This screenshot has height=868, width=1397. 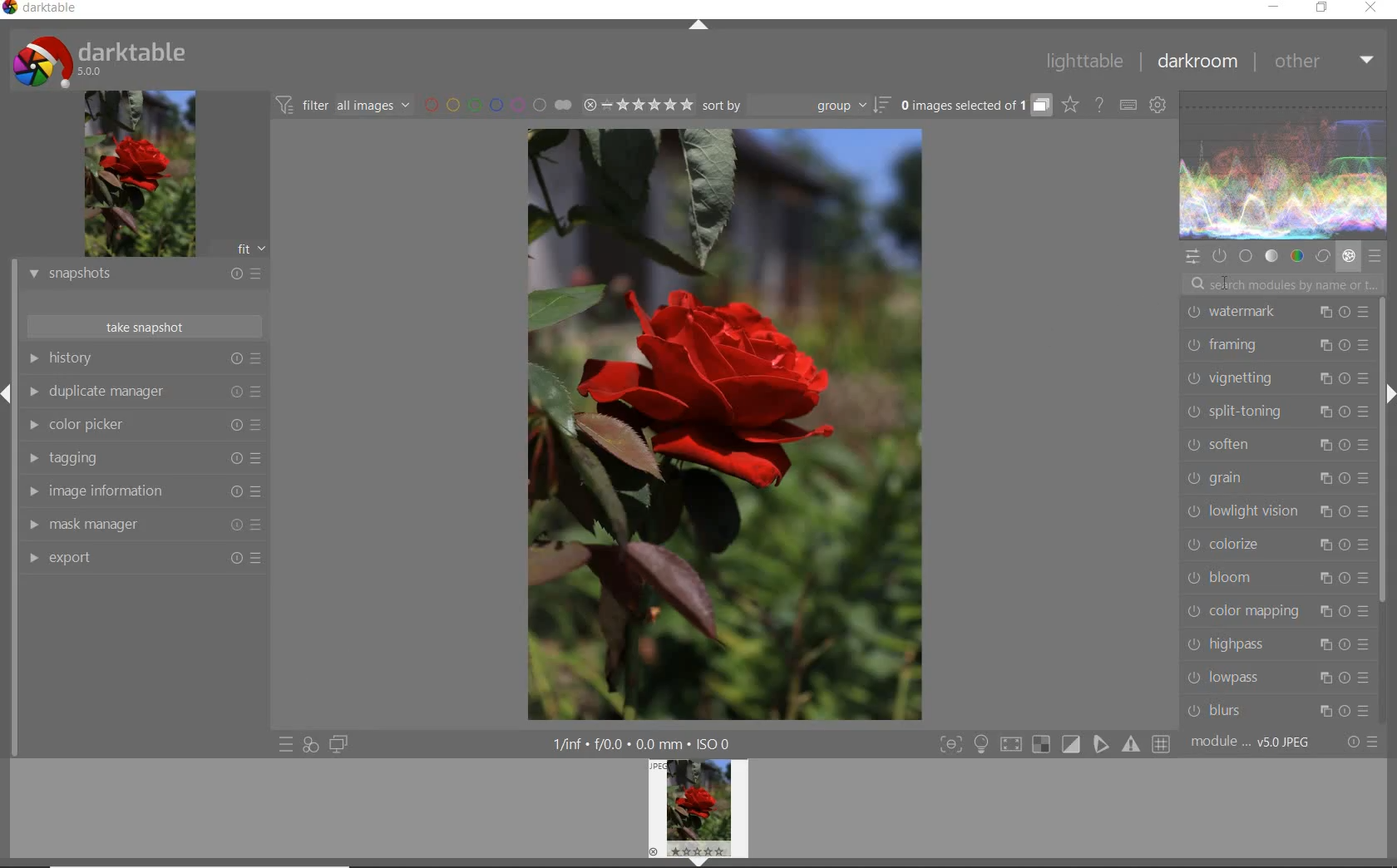 What do you see at coordinates (8, 392) in the screenshot?
I see `Expand/Collapse` at bounding box center [8, 392].